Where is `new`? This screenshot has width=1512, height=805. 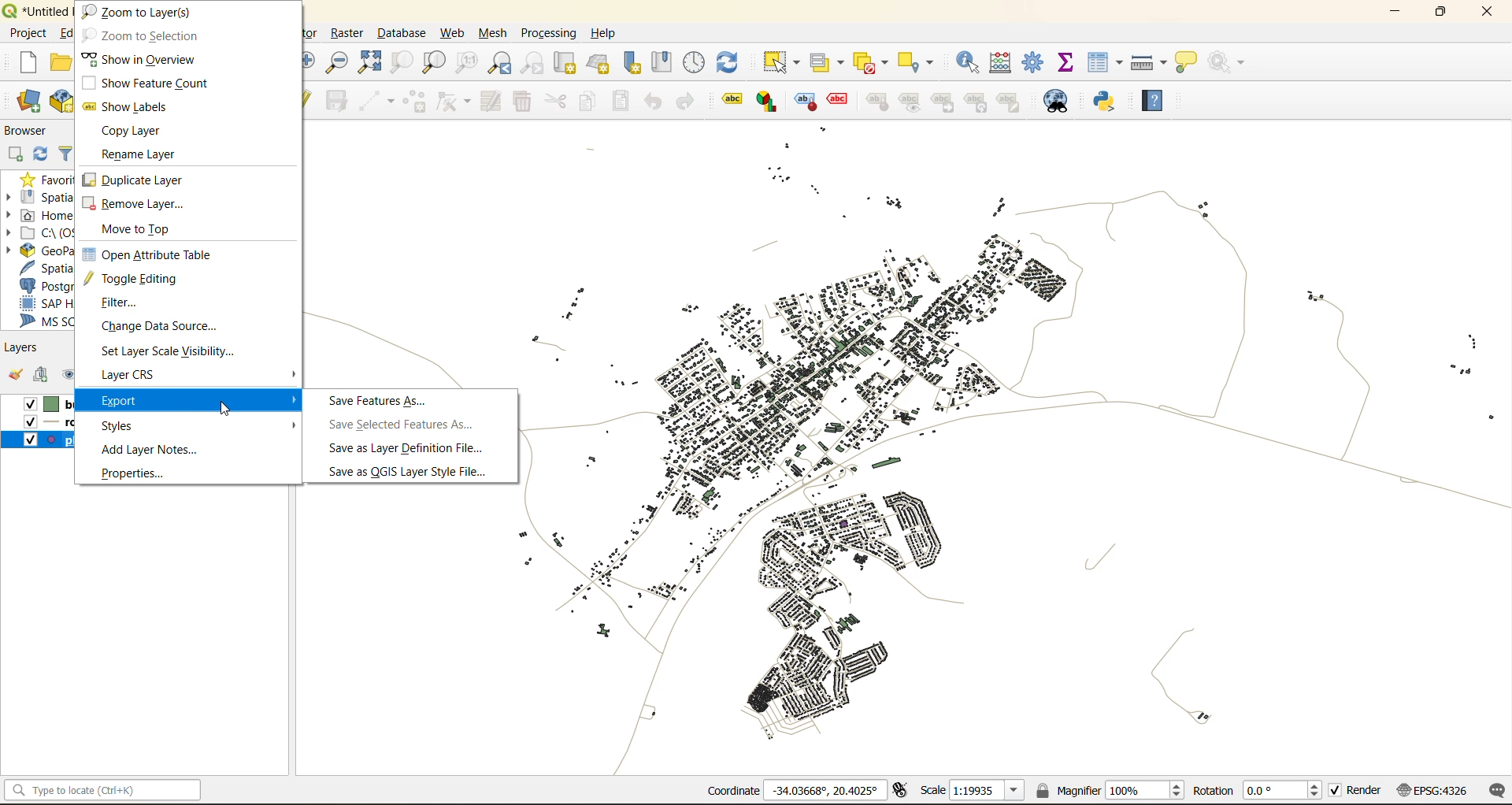
new is located at coordinates (29, 63).